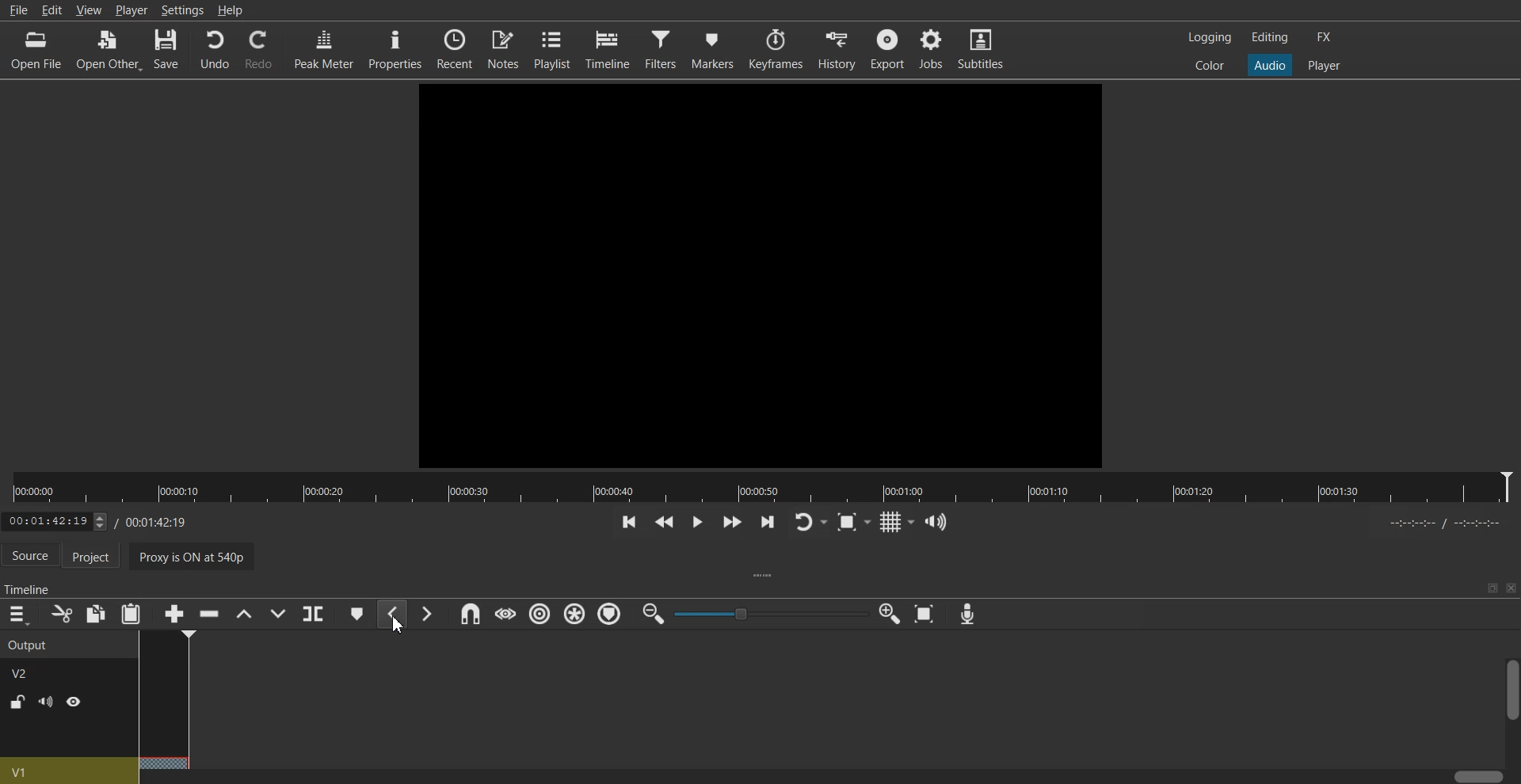 The width and height of the screenshot is (1521, 784). I want to click on Toggle Zoom, so click(855, 523).